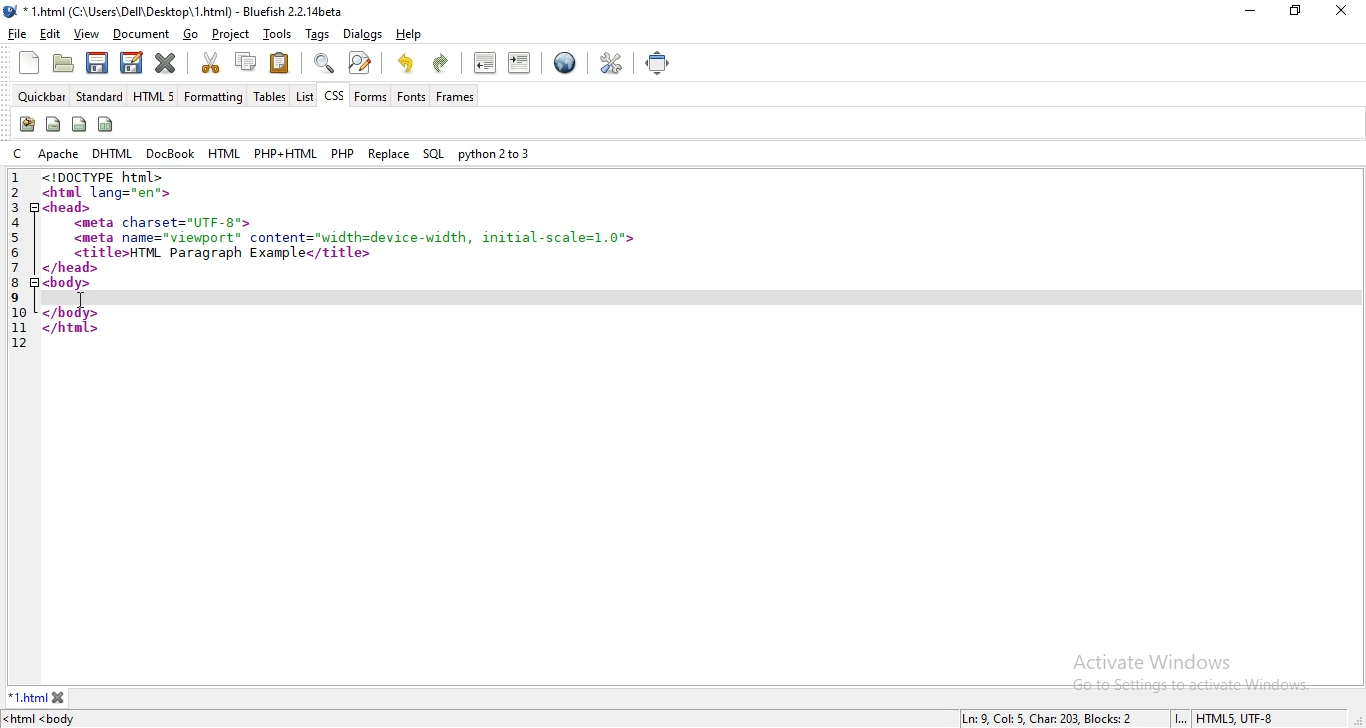 Image resolution: width=1366 pixels, height=728 pixels. What do you see at coordinates (343, 151) in the screenshot?
I see `php` at bounding box center [343, 151].